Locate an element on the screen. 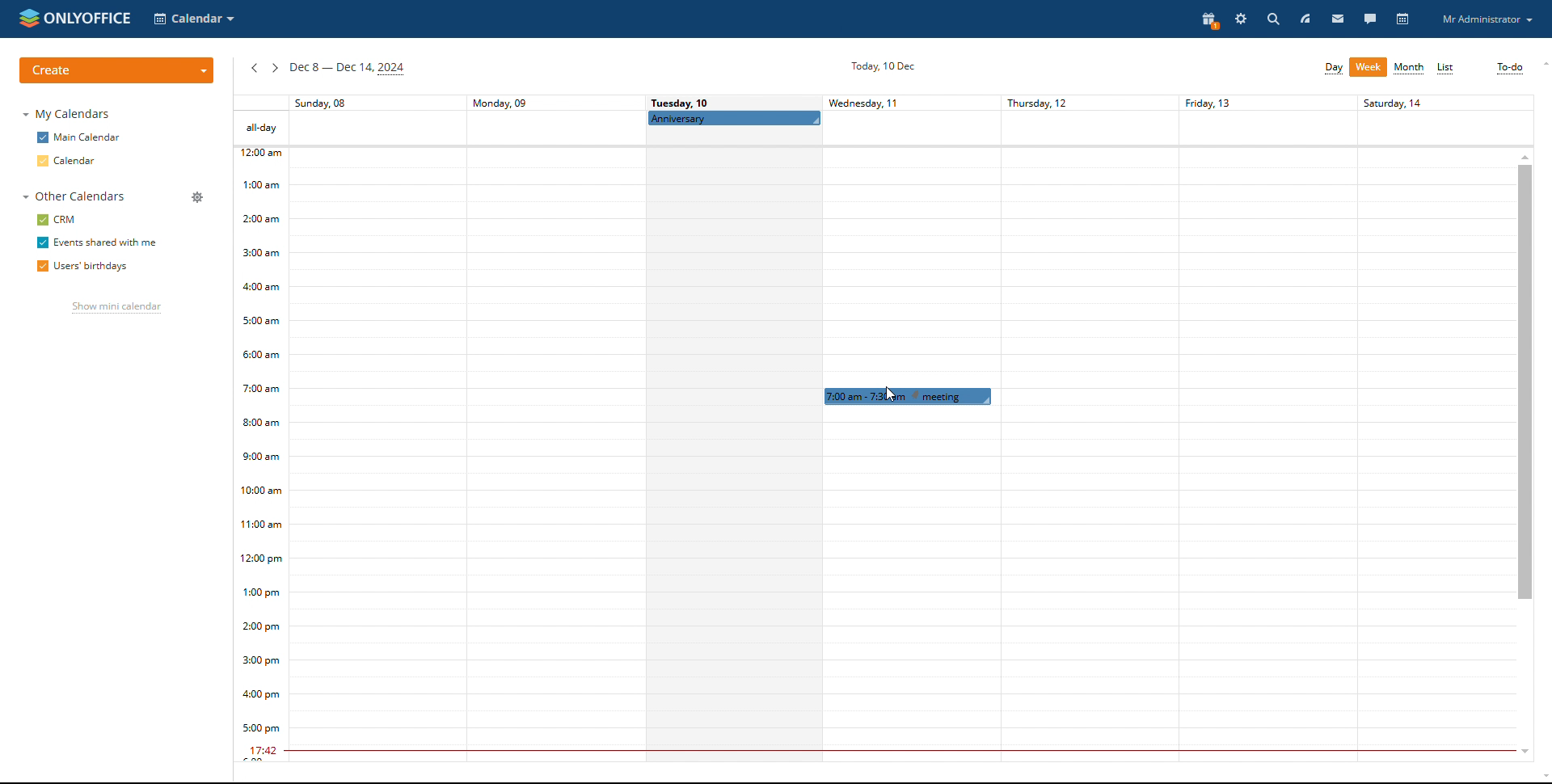 This screenshot has height=784, width=1552. week view is located at coordinates (1369, 67).